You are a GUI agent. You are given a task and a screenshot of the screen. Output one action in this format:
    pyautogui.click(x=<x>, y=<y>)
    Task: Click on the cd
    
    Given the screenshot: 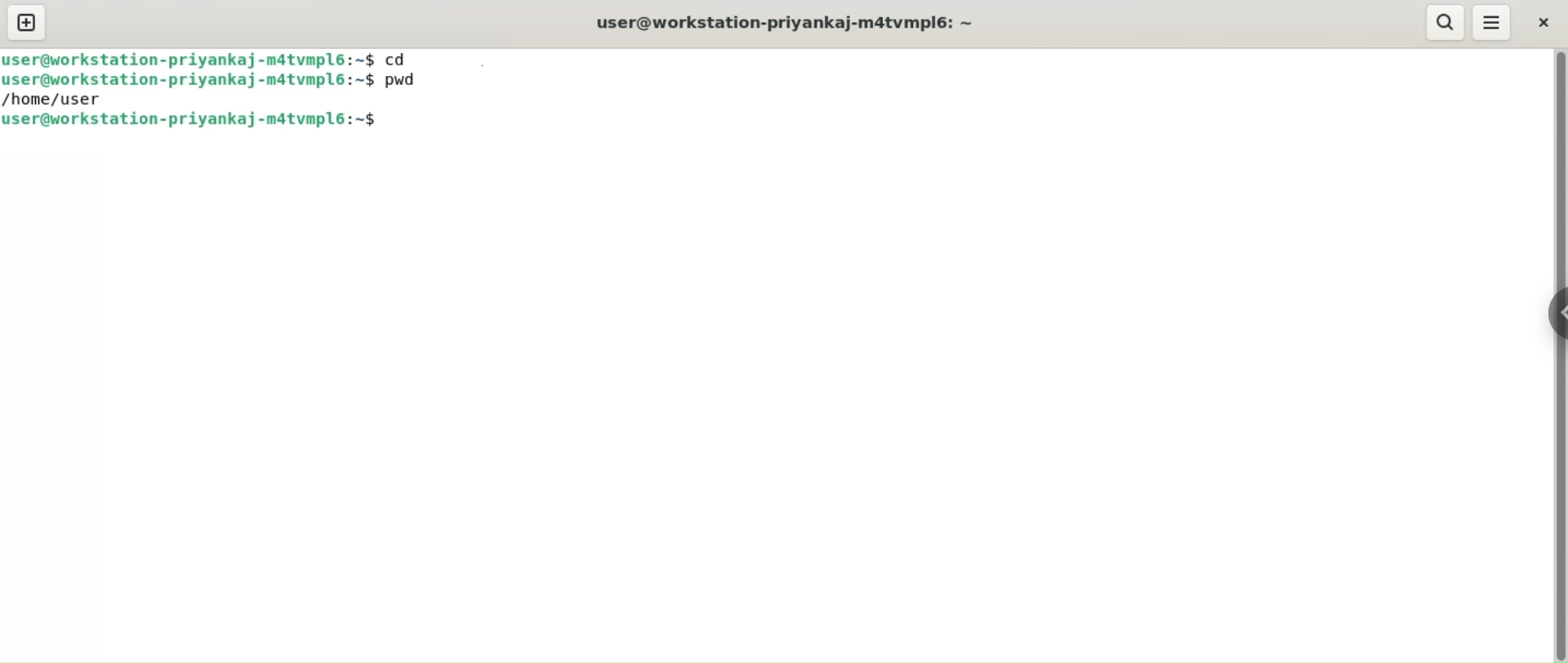 What is the action you would take?
    pyautogui.click(x=403, y=57)
    